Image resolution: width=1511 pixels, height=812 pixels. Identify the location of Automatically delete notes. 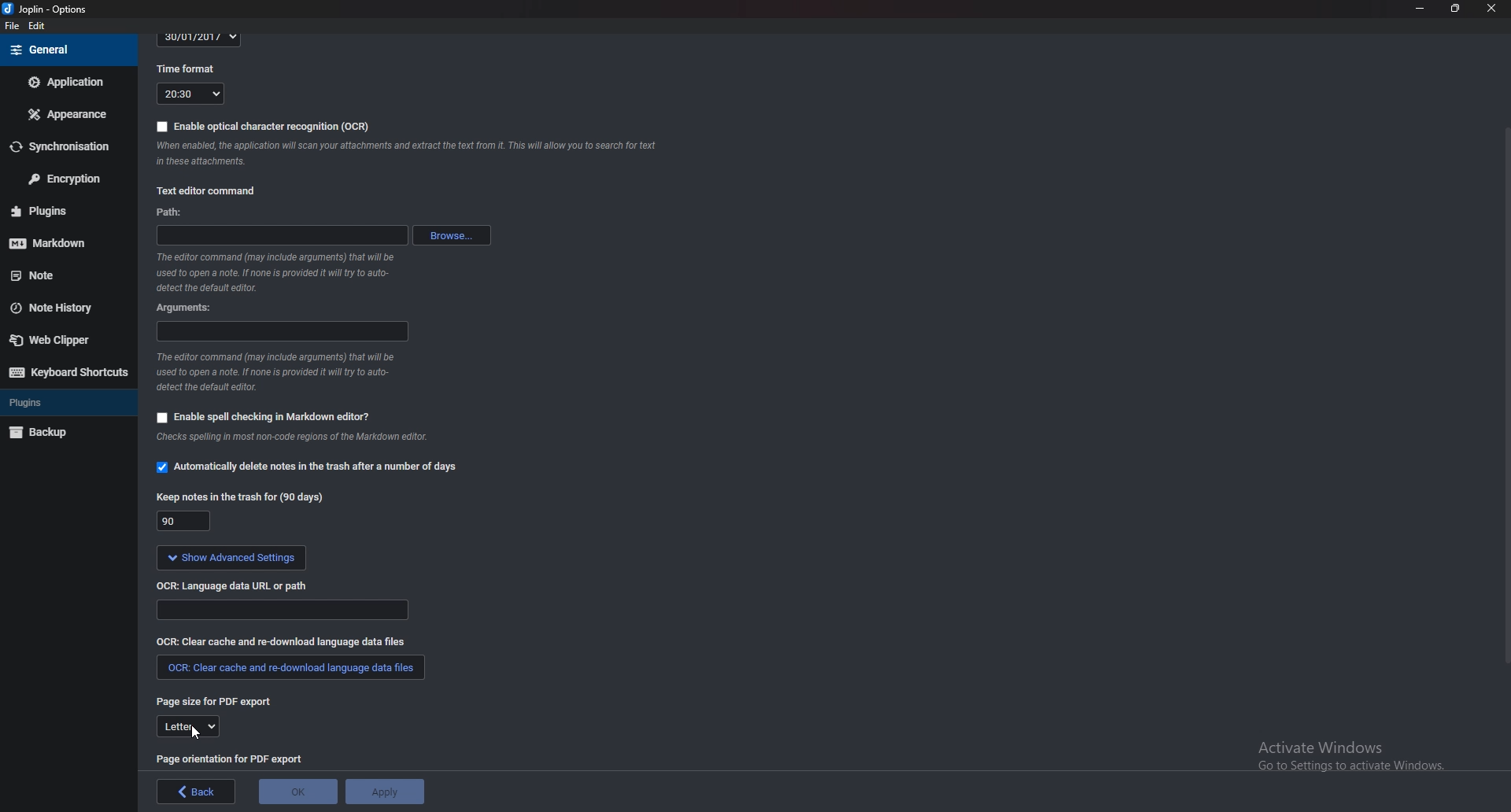
(310, 465).